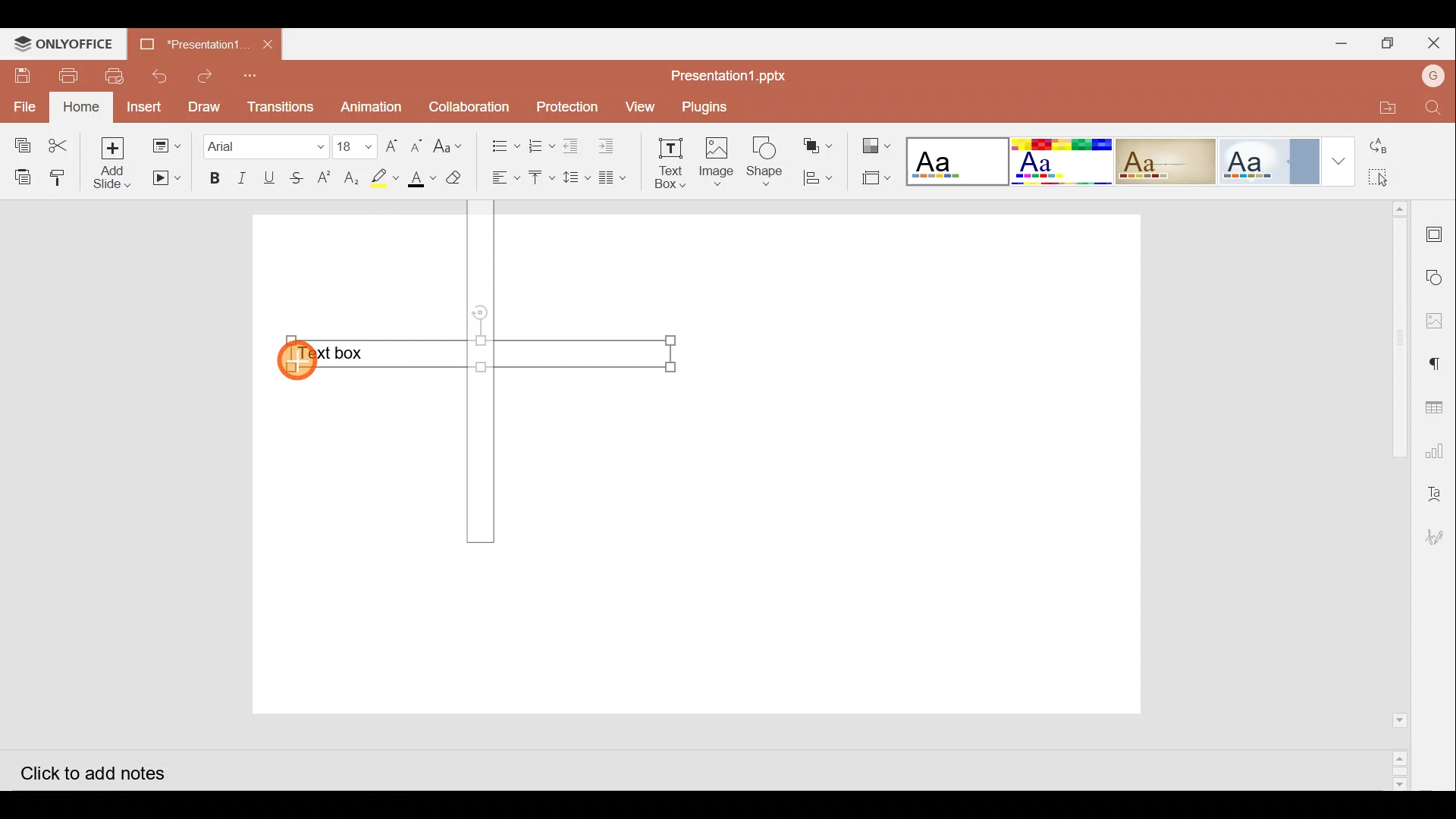  I want to click on Cursor on text box, so click(297, 357).